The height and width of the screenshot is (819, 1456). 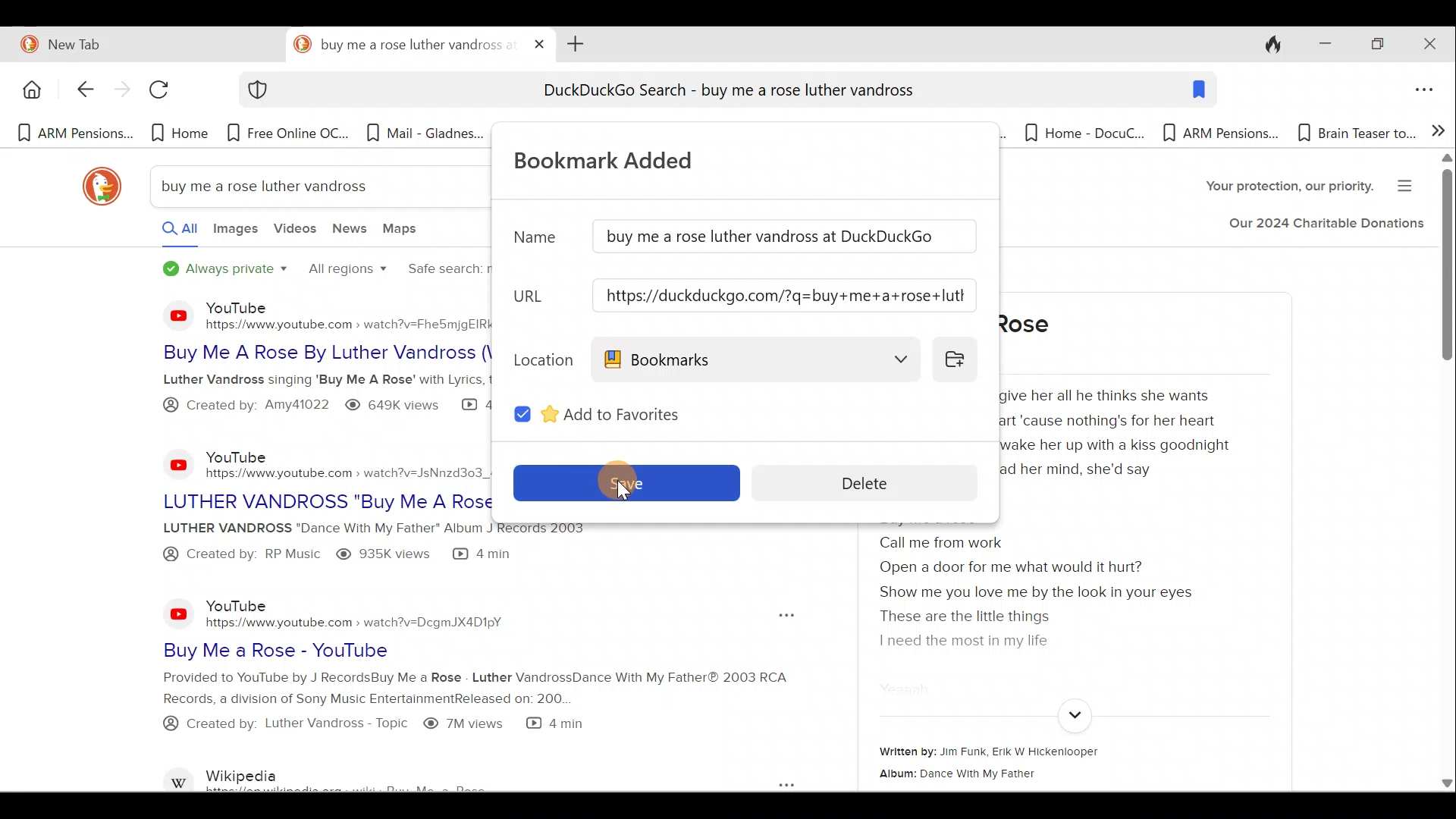 I want to click on Bookmark 10, so click(x=1221, y=134).